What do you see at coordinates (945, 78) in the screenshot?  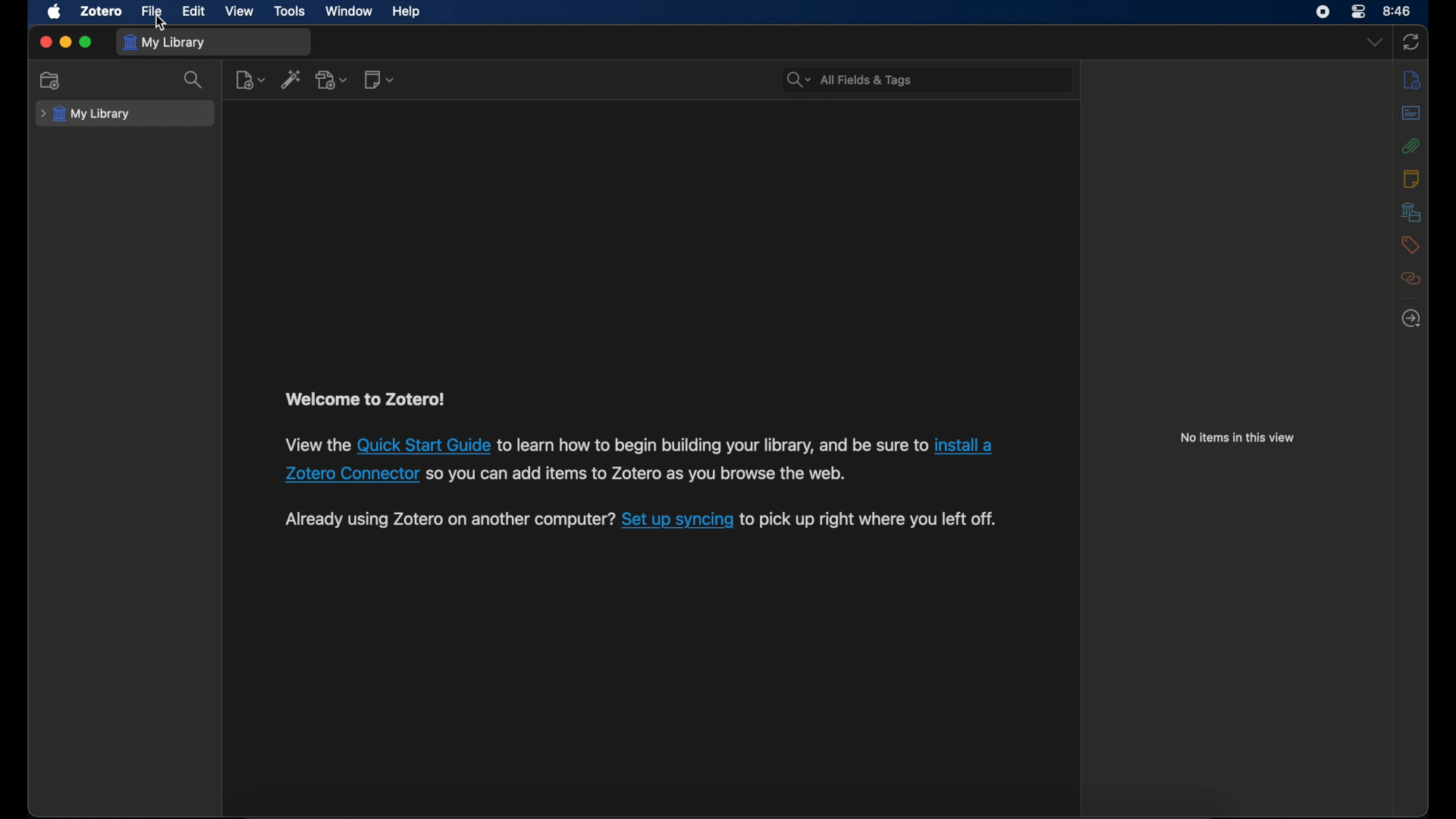 I see `search bar input` at bounding box center [945, 78].